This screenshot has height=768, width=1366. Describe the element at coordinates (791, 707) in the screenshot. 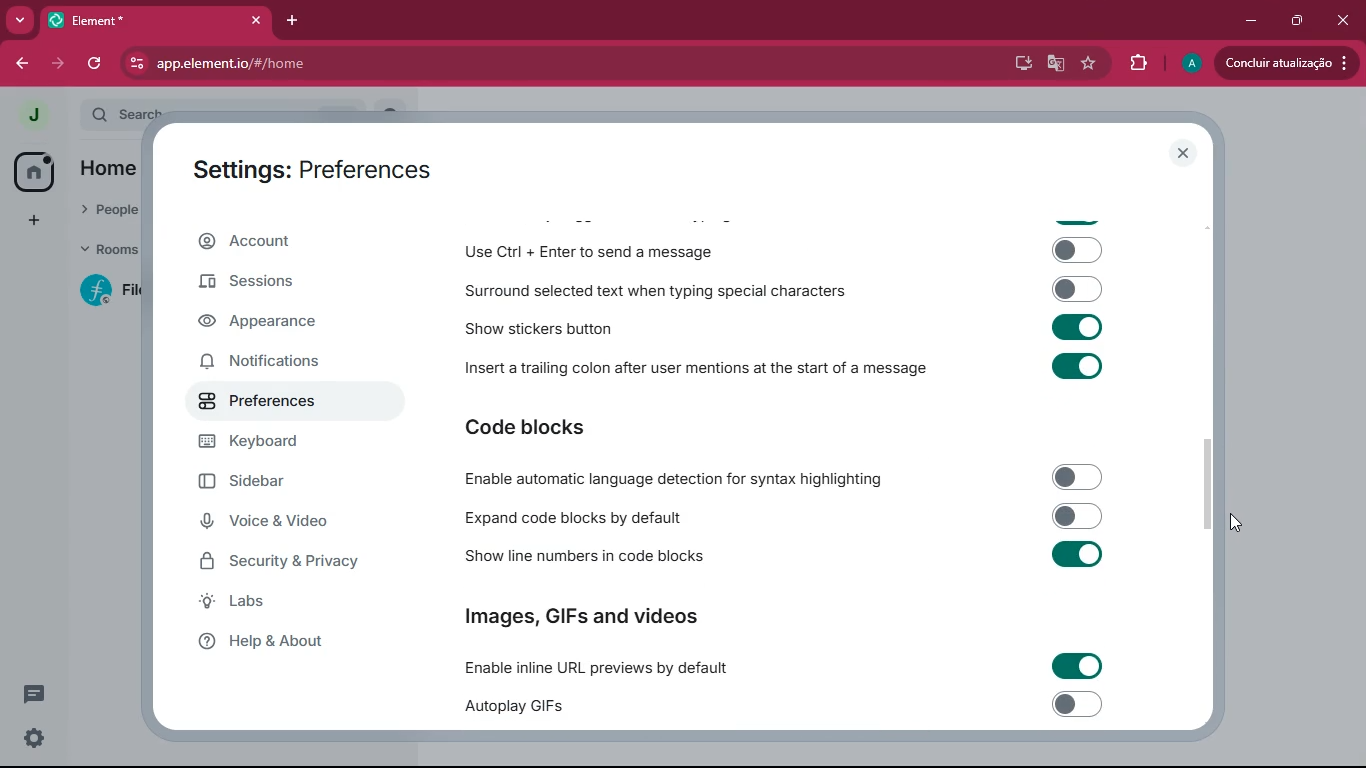

I see `Autoplay GIFs` at that location.